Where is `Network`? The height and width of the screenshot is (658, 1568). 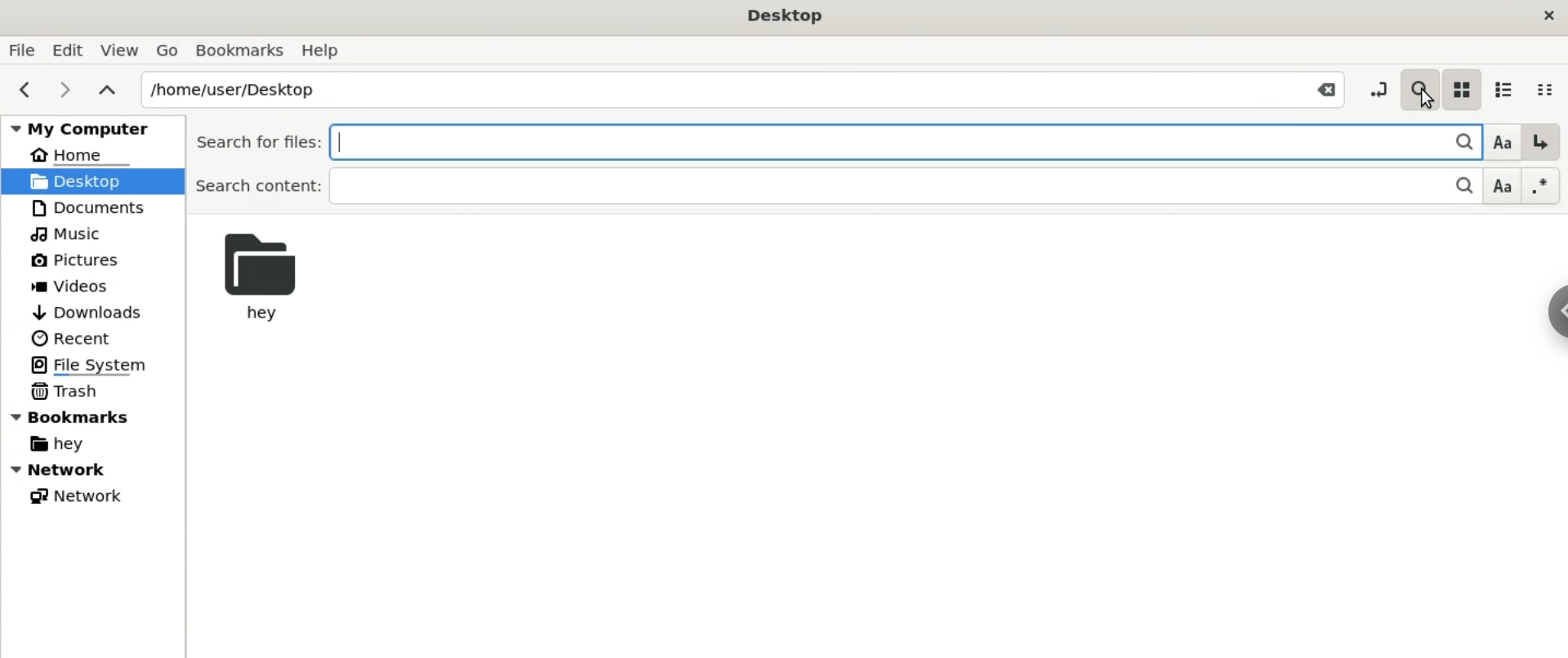
Network is located at coordinates (73, 494).